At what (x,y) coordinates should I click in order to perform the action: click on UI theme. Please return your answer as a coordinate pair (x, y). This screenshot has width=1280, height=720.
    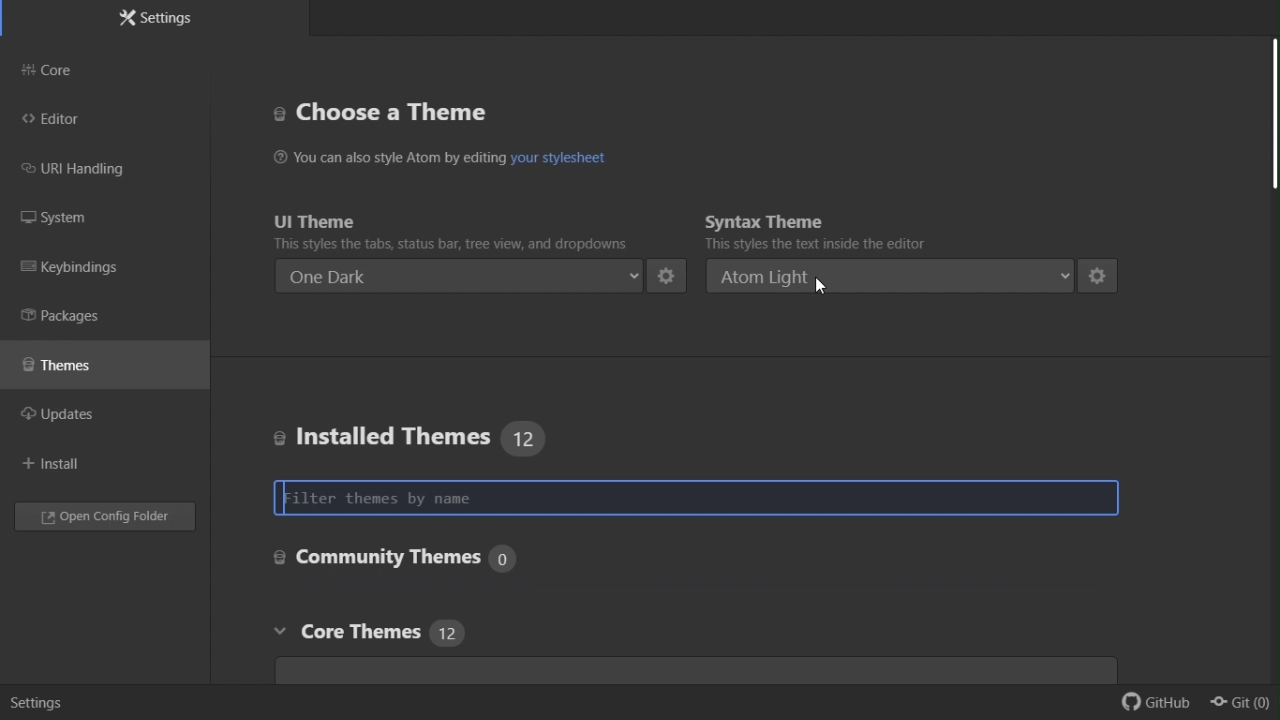
    Looking at the image, I should click on (446, 229).